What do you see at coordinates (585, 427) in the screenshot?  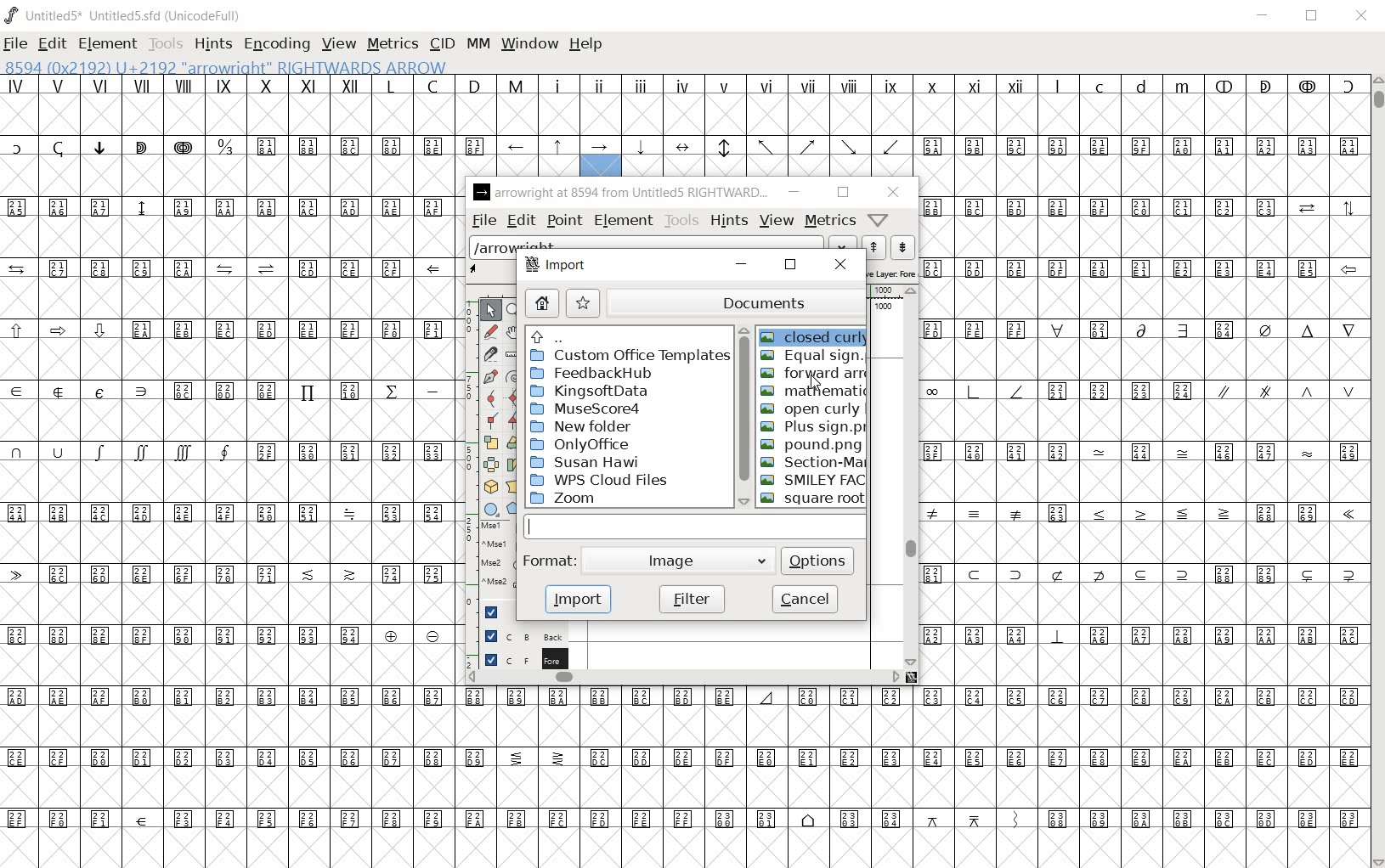 I see `New folder` at bounding box center [585, 427].